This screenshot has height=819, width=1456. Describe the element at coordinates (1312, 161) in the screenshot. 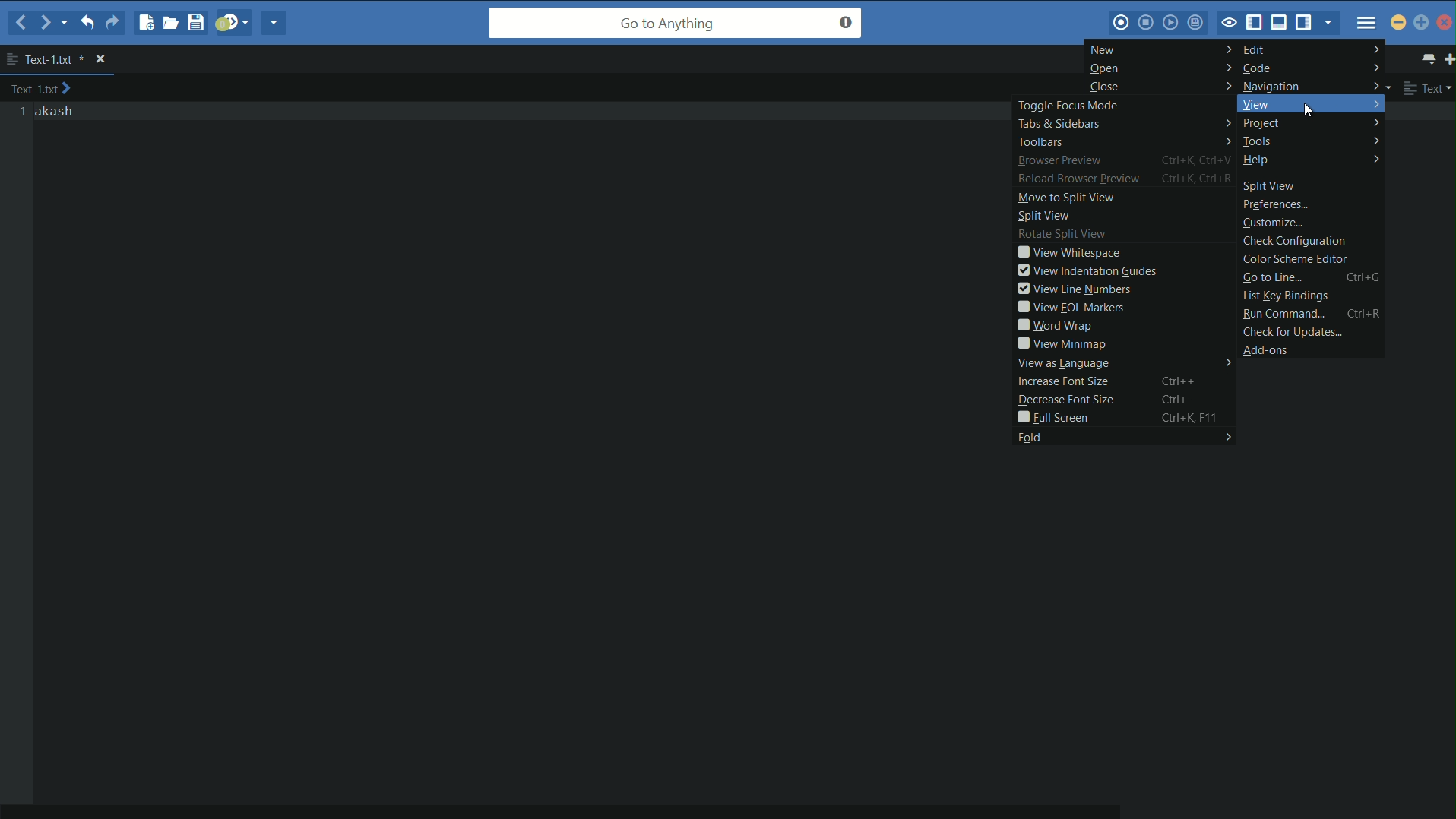

I see `help` at that location.